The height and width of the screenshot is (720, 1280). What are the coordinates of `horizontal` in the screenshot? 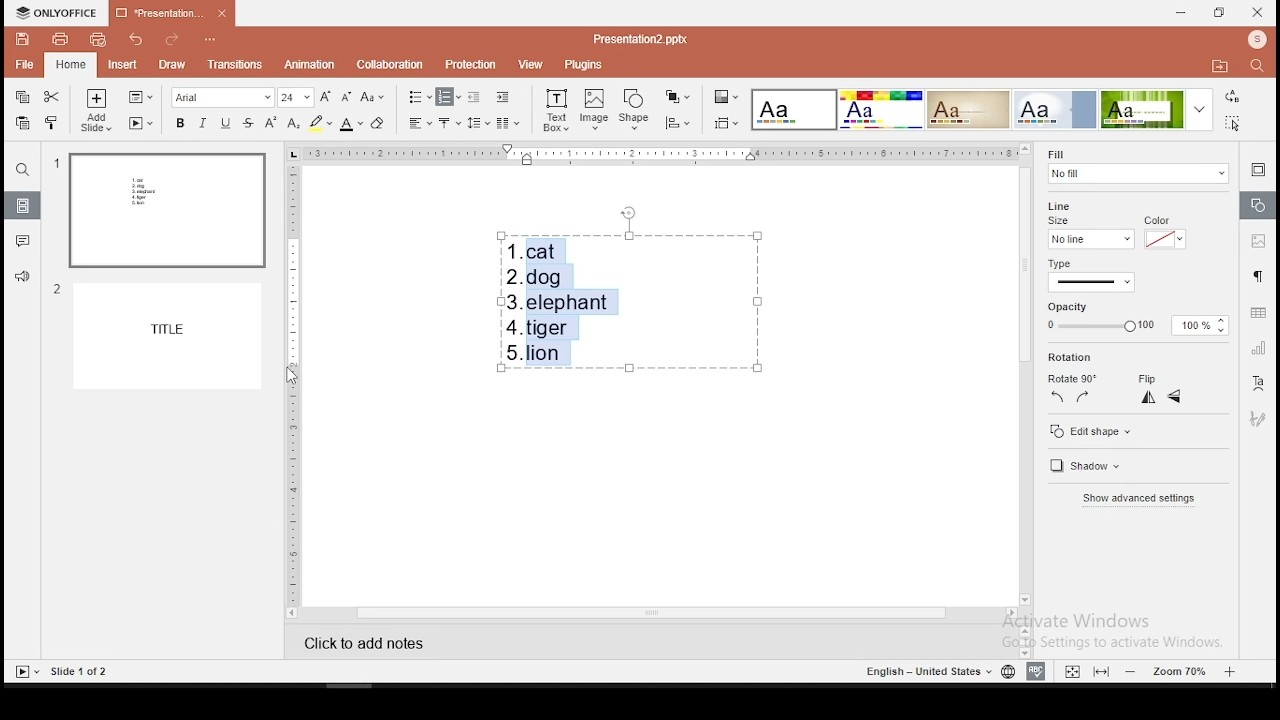 It's located at (1176, 398).